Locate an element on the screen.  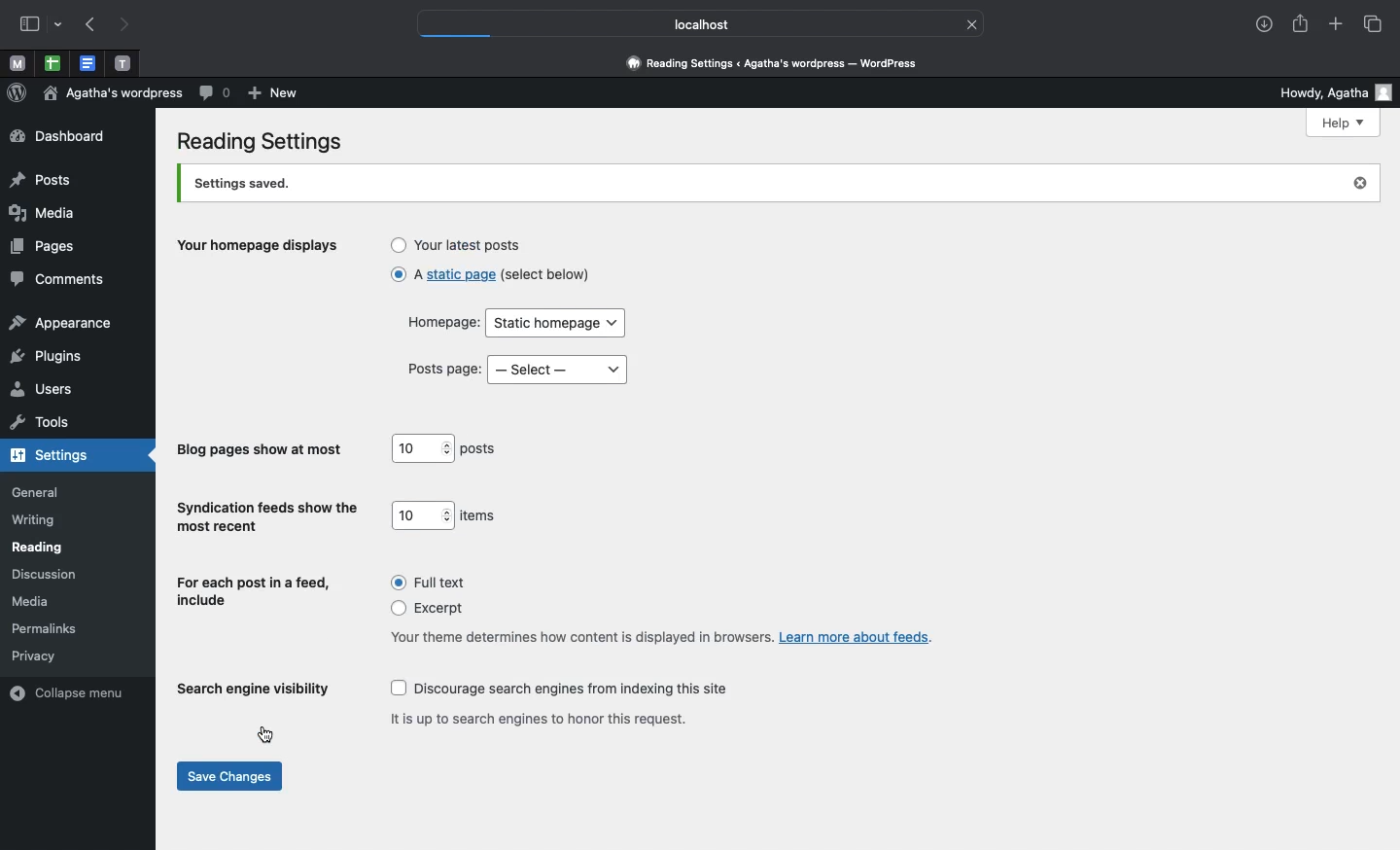
posts is located at coordinates (481, 449).